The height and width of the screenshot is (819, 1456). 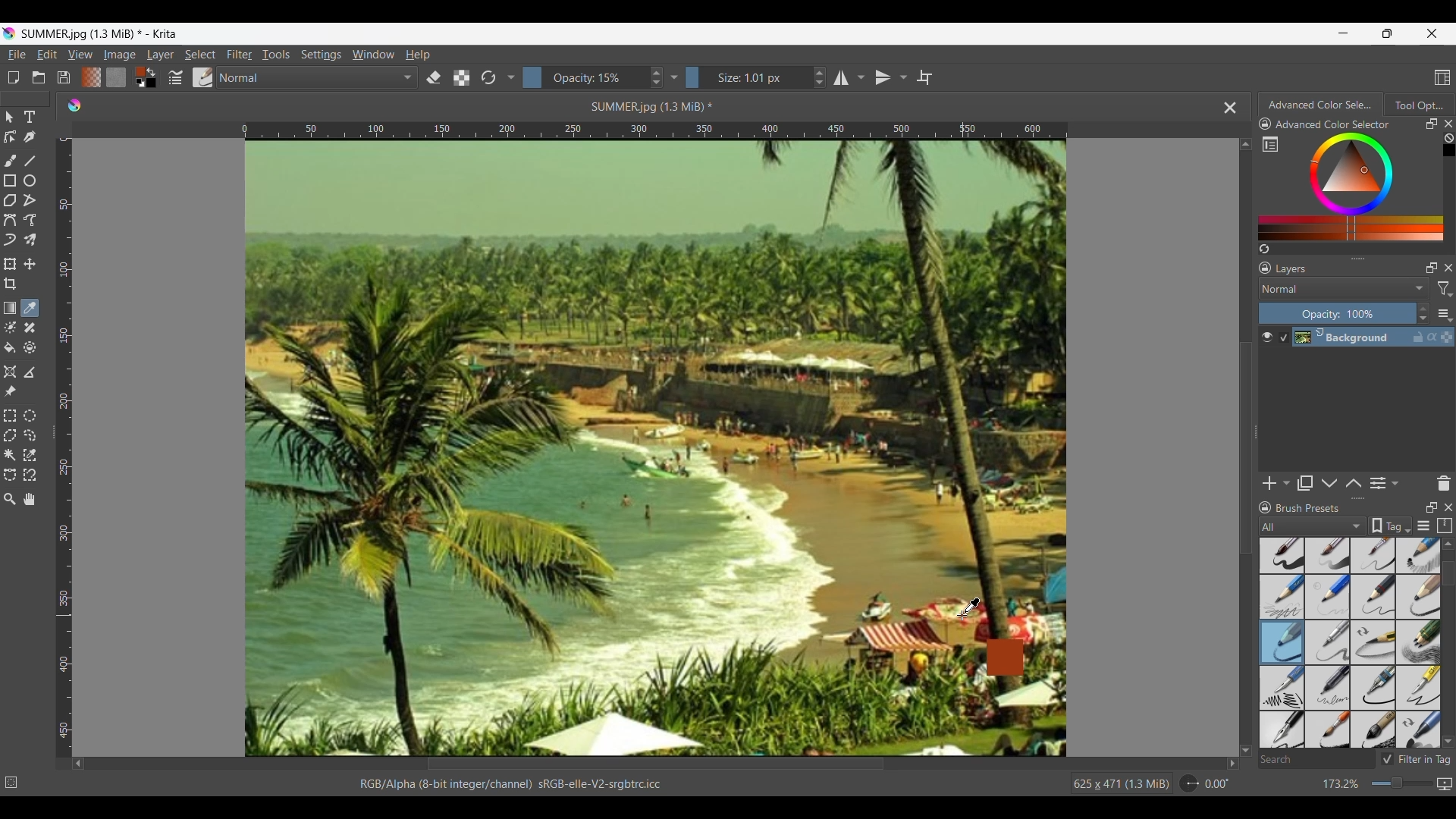 I want to click on File menu, so click(x=17, y=55).